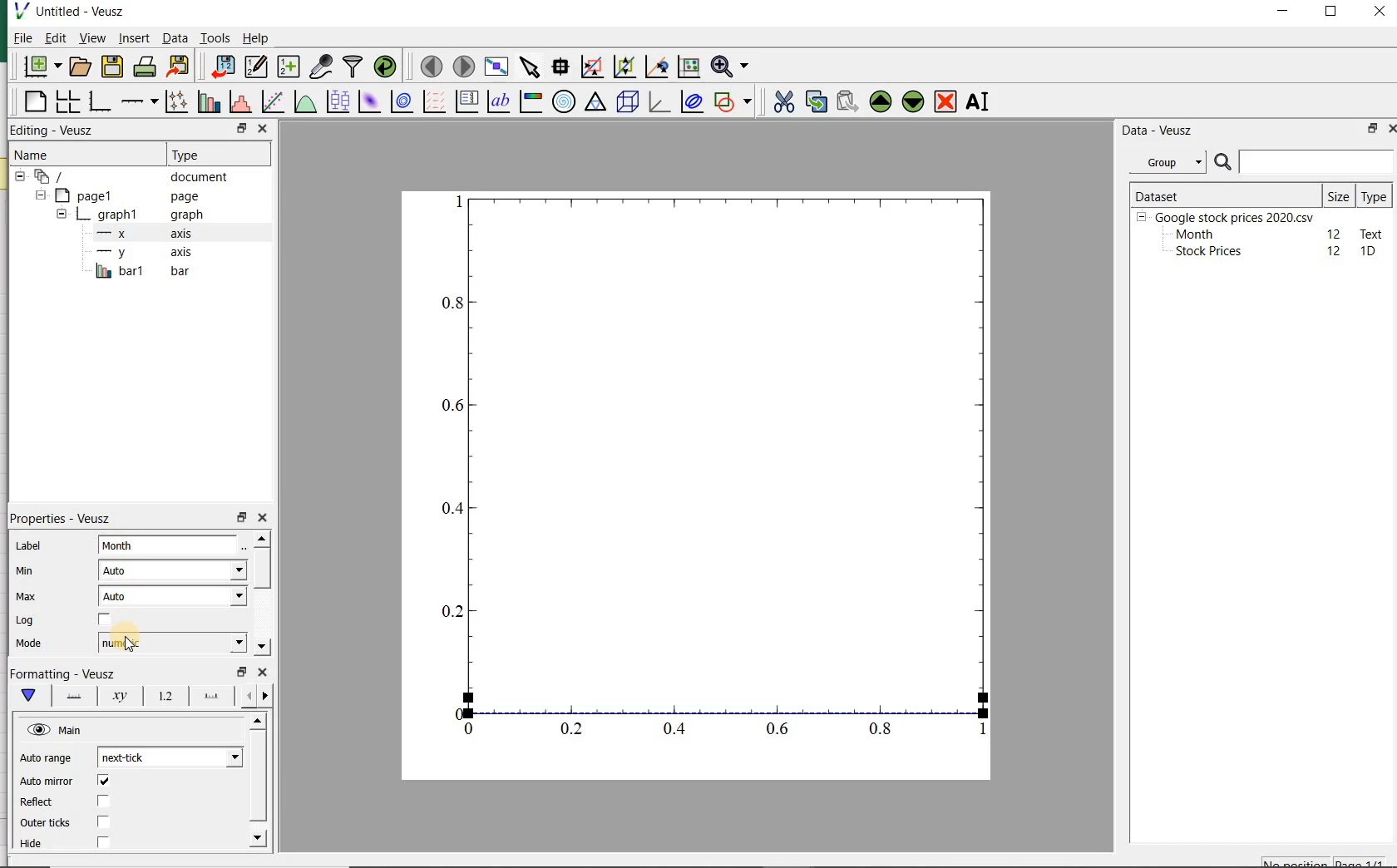 The height and width of the screenshot is (868, 1397). What do you see at coordinates (496, 67) in the screenshot?
I see `view plot full screen` at bounding box center [496, 67].